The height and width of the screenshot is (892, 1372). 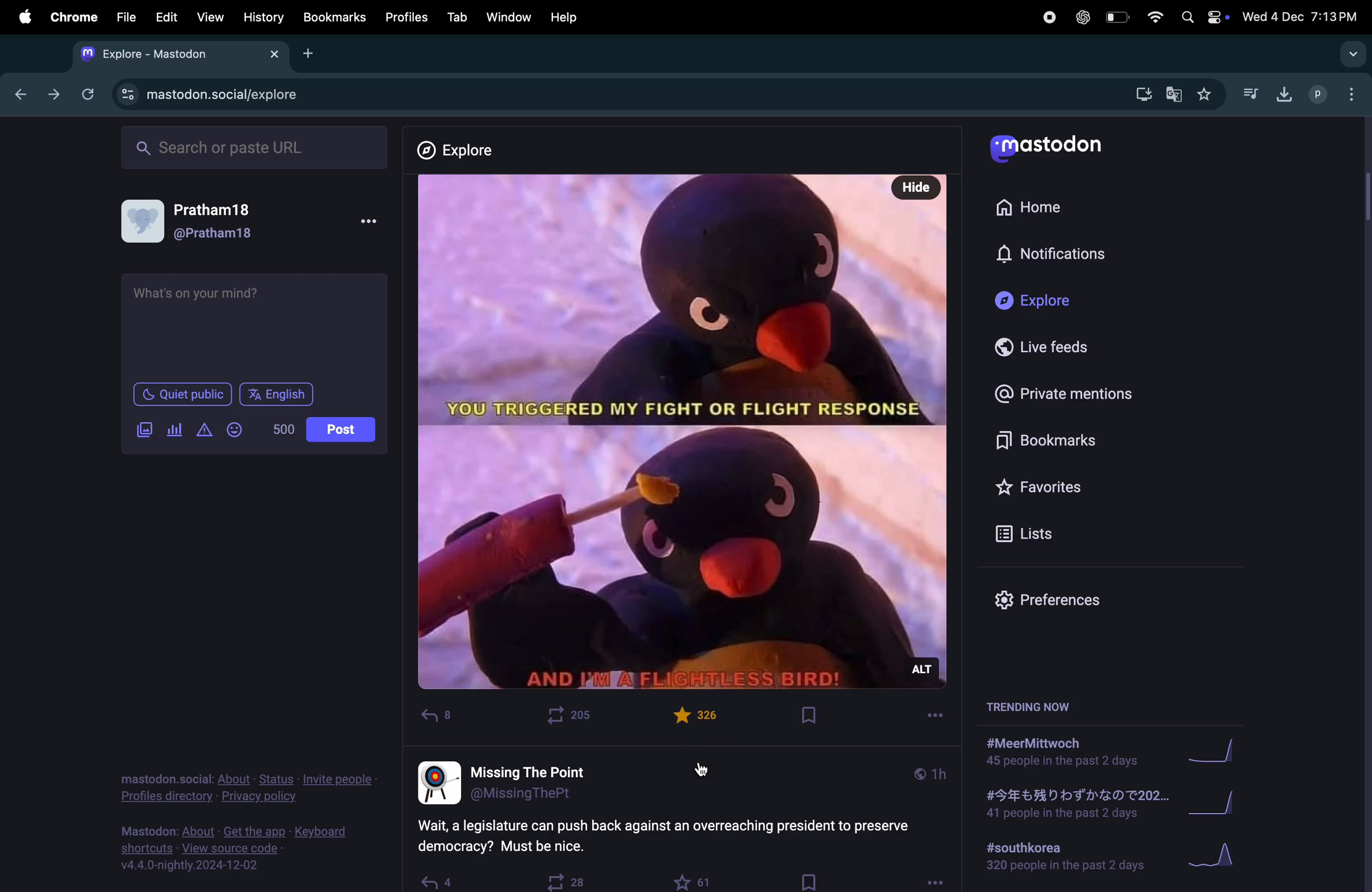 What do you see at coordinates (462, 151) in the screenshot?
I see `explore` at bounding box center [462, 151].